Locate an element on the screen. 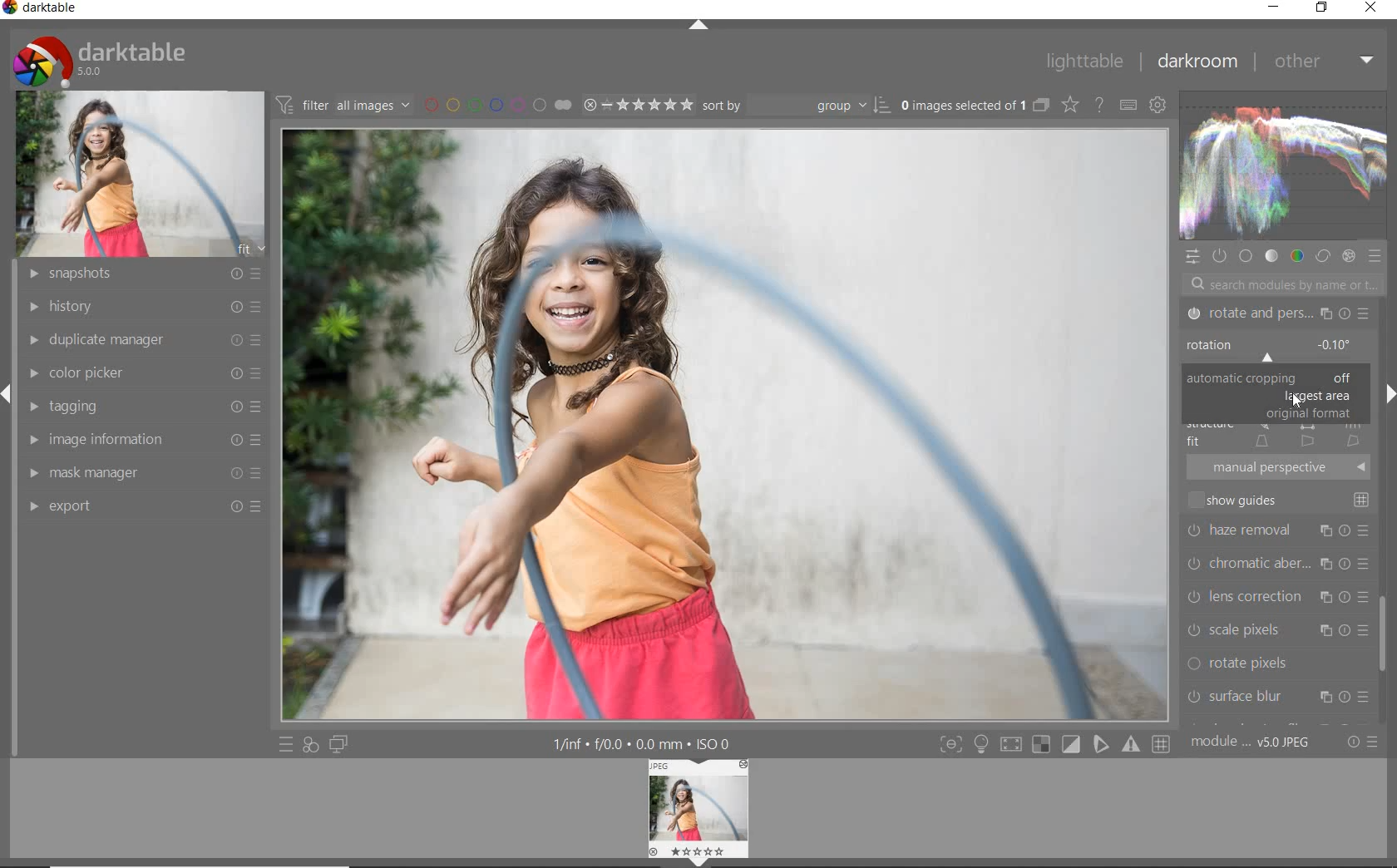 Image resolution: width=1397 pixels, height=868 pixels. quick access to preset is located at coordinates (287, 743).